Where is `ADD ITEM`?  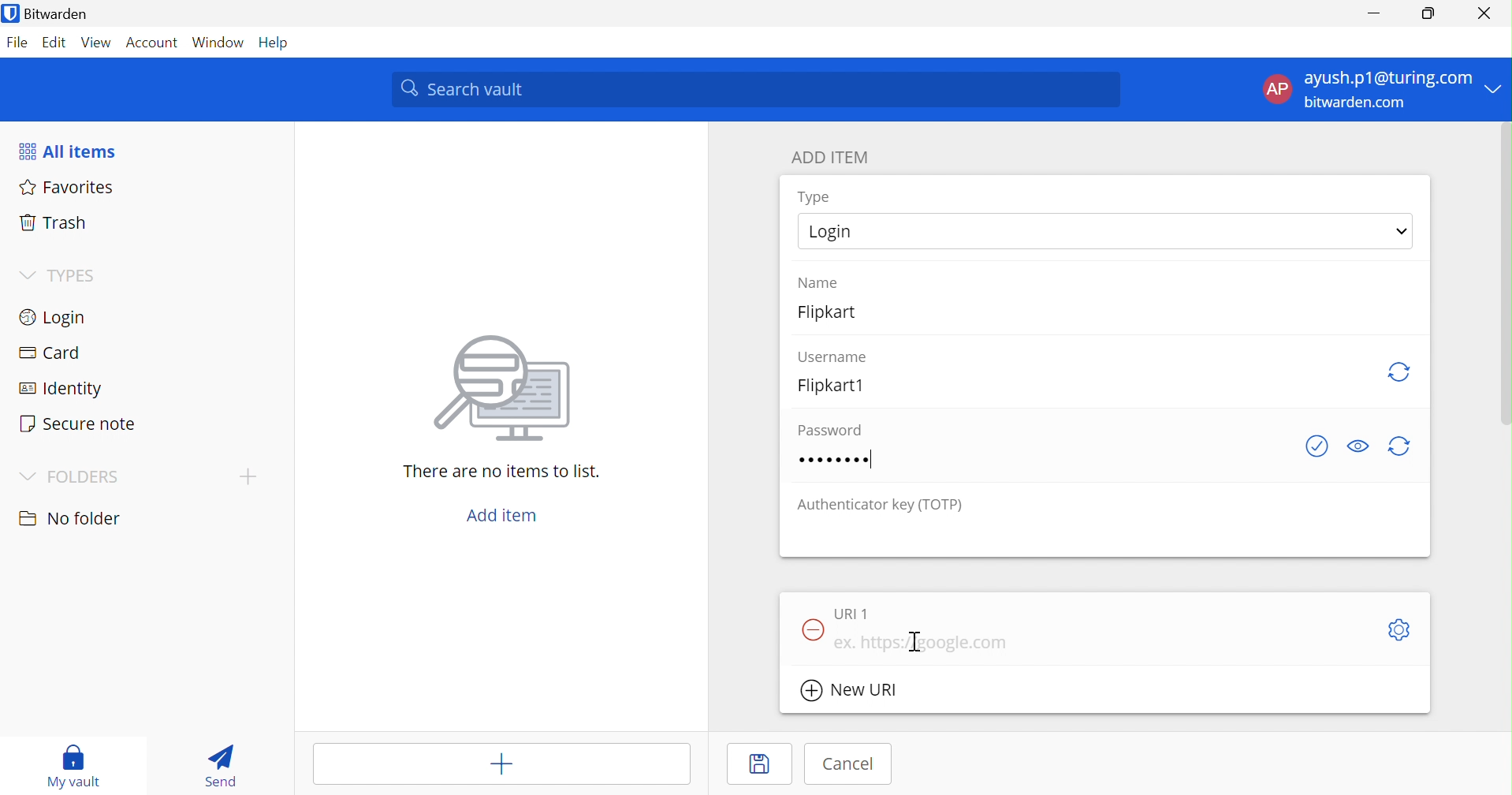 ADD ITEM is located at coordinates (832, 159).